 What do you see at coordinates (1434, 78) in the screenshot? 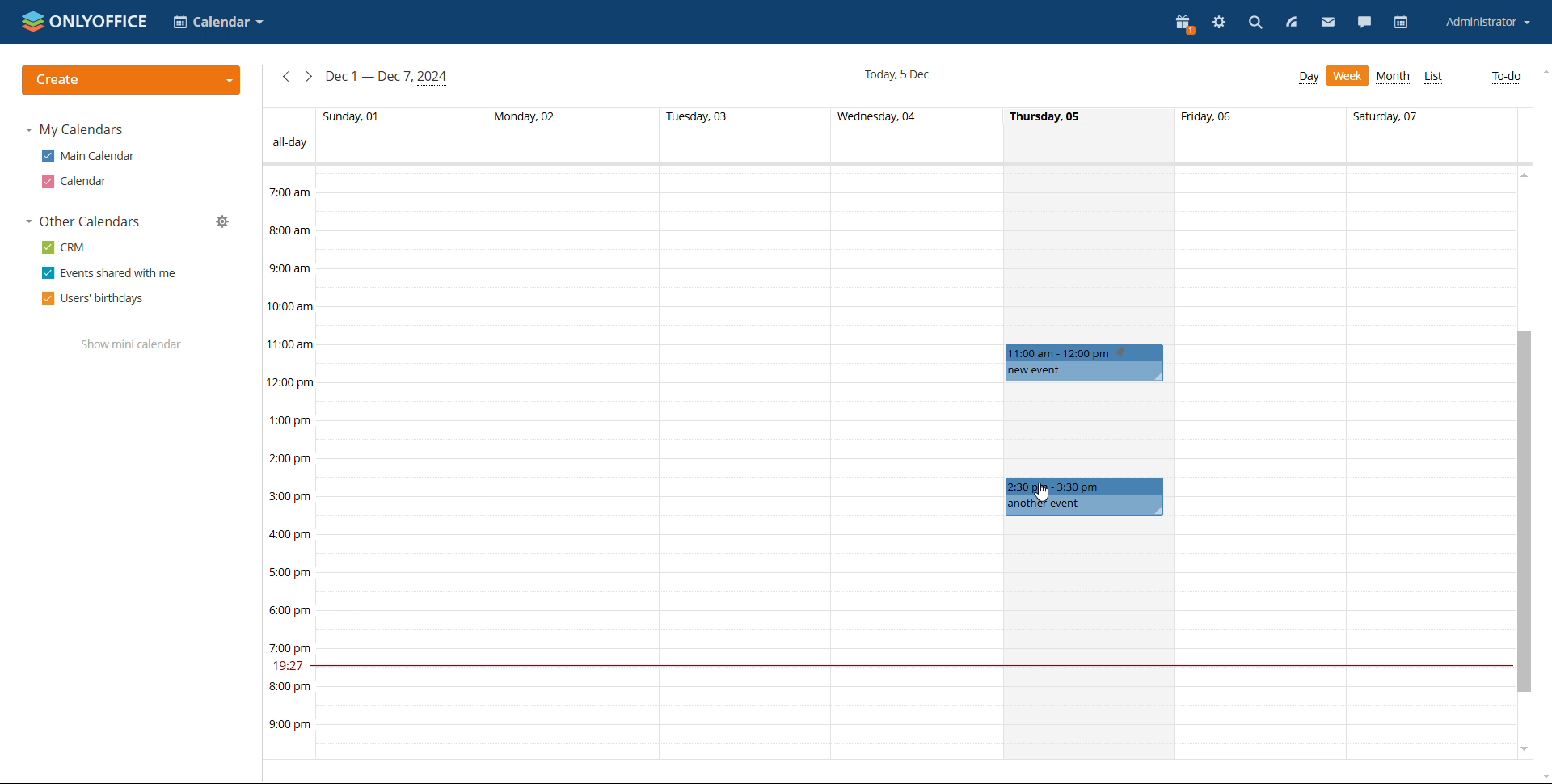
I see `list view` at bounding box center [1434, 78].